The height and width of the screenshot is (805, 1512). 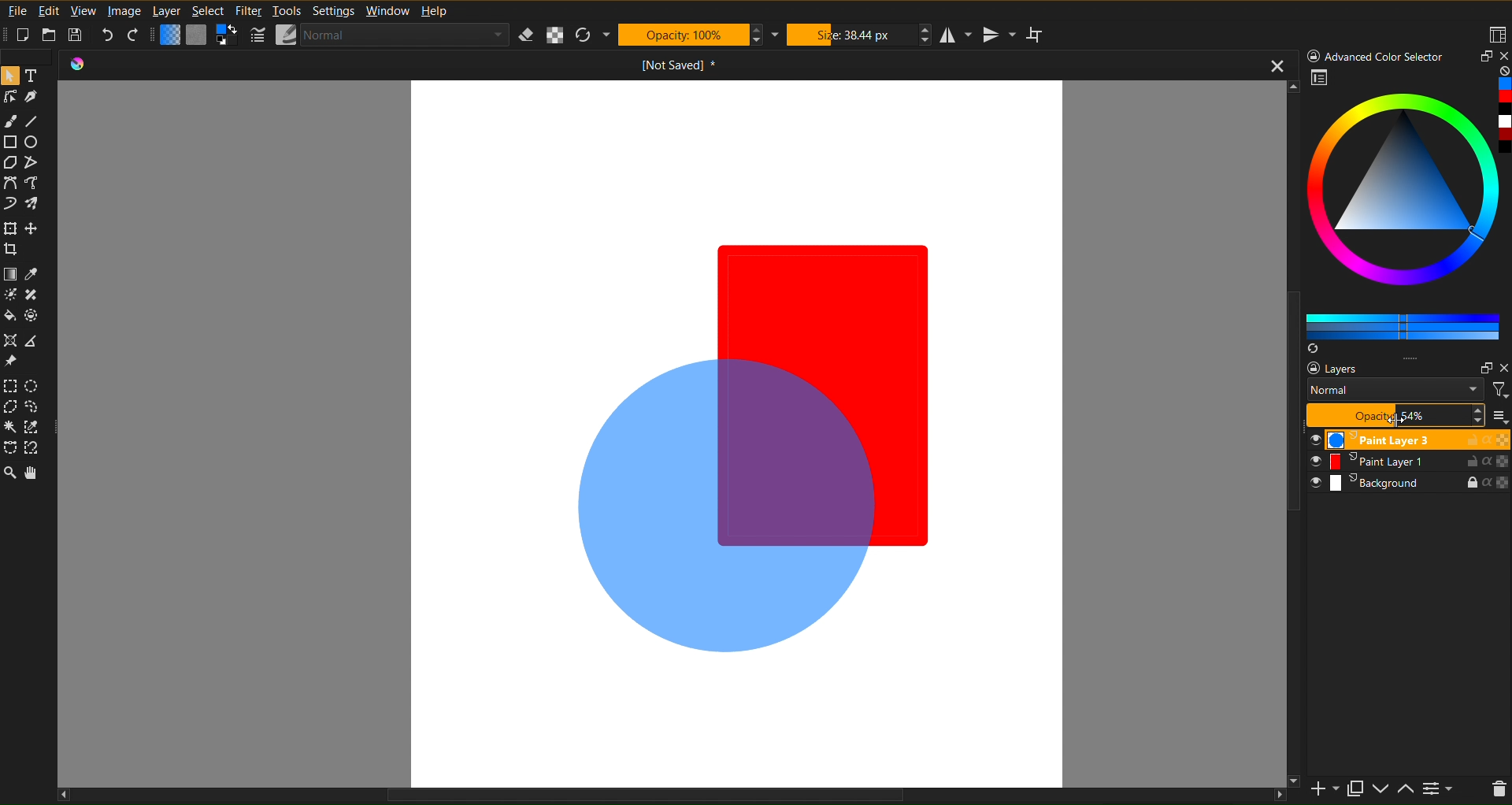 I want to click on Curve Tool, so click(x=11, y=184).